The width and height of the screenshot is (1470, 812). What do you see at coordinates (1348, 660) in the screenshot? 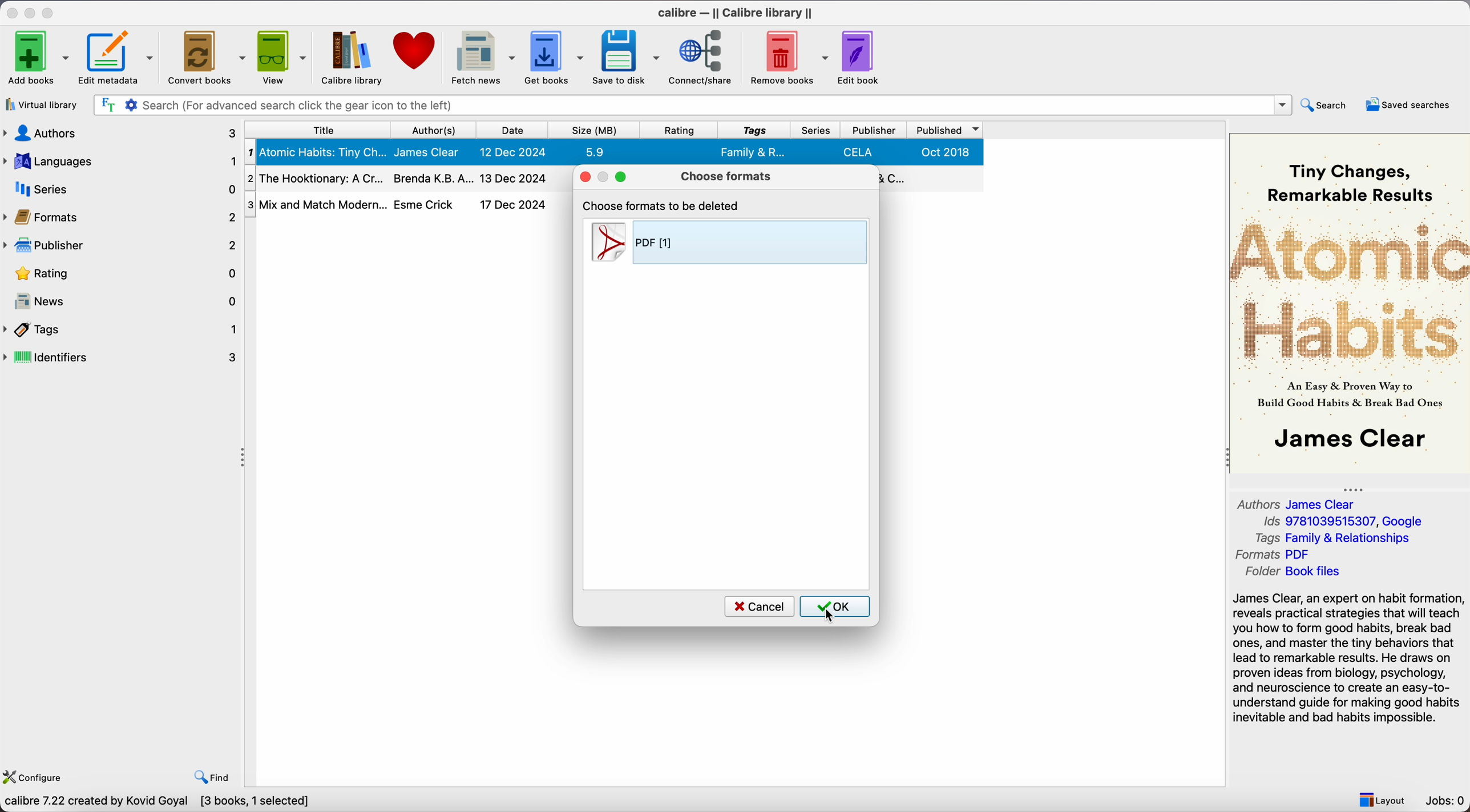
I see `synopsis` at bounding box center [1348, 660].